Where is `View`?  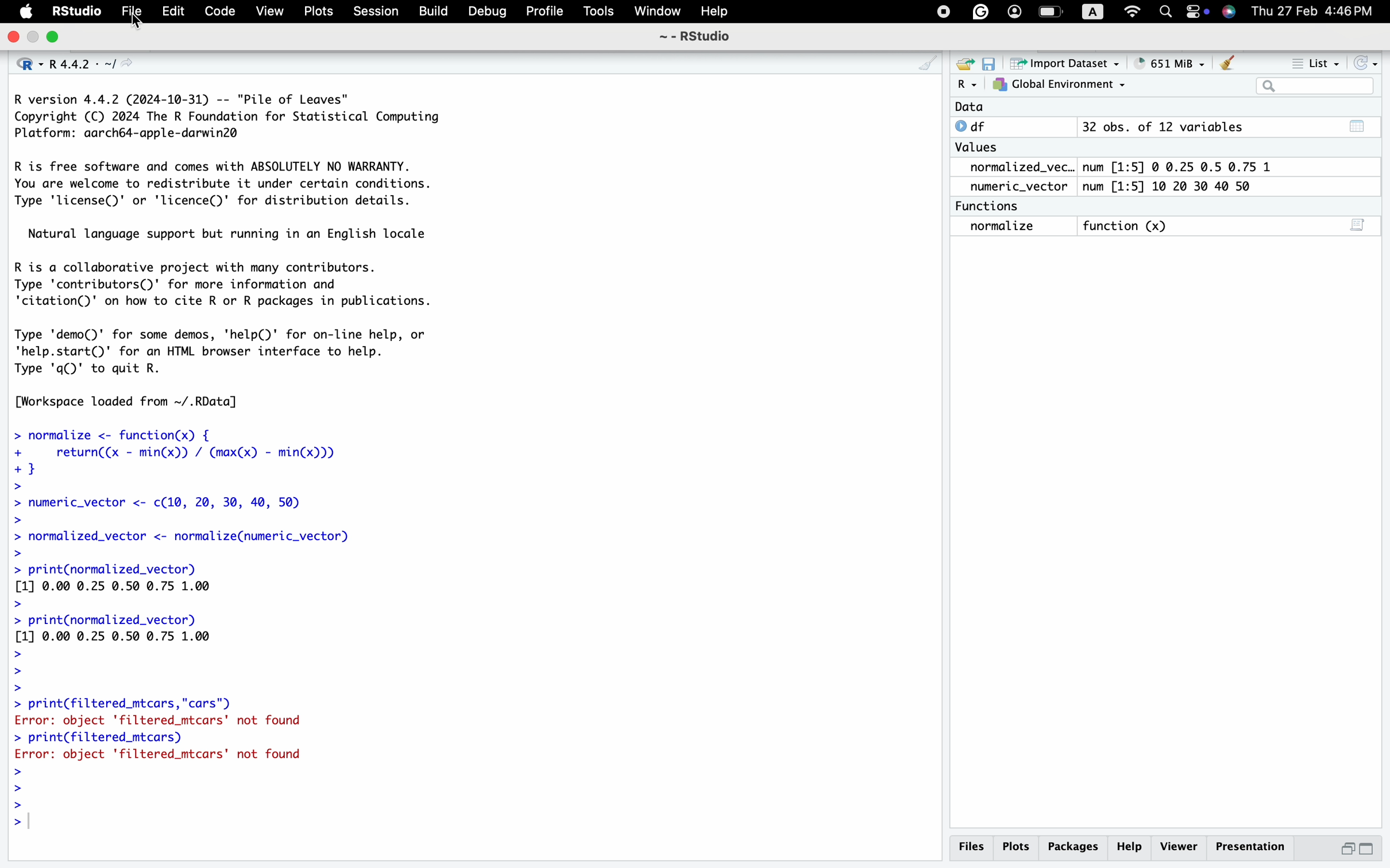
View is located at coordinates (263, 11).